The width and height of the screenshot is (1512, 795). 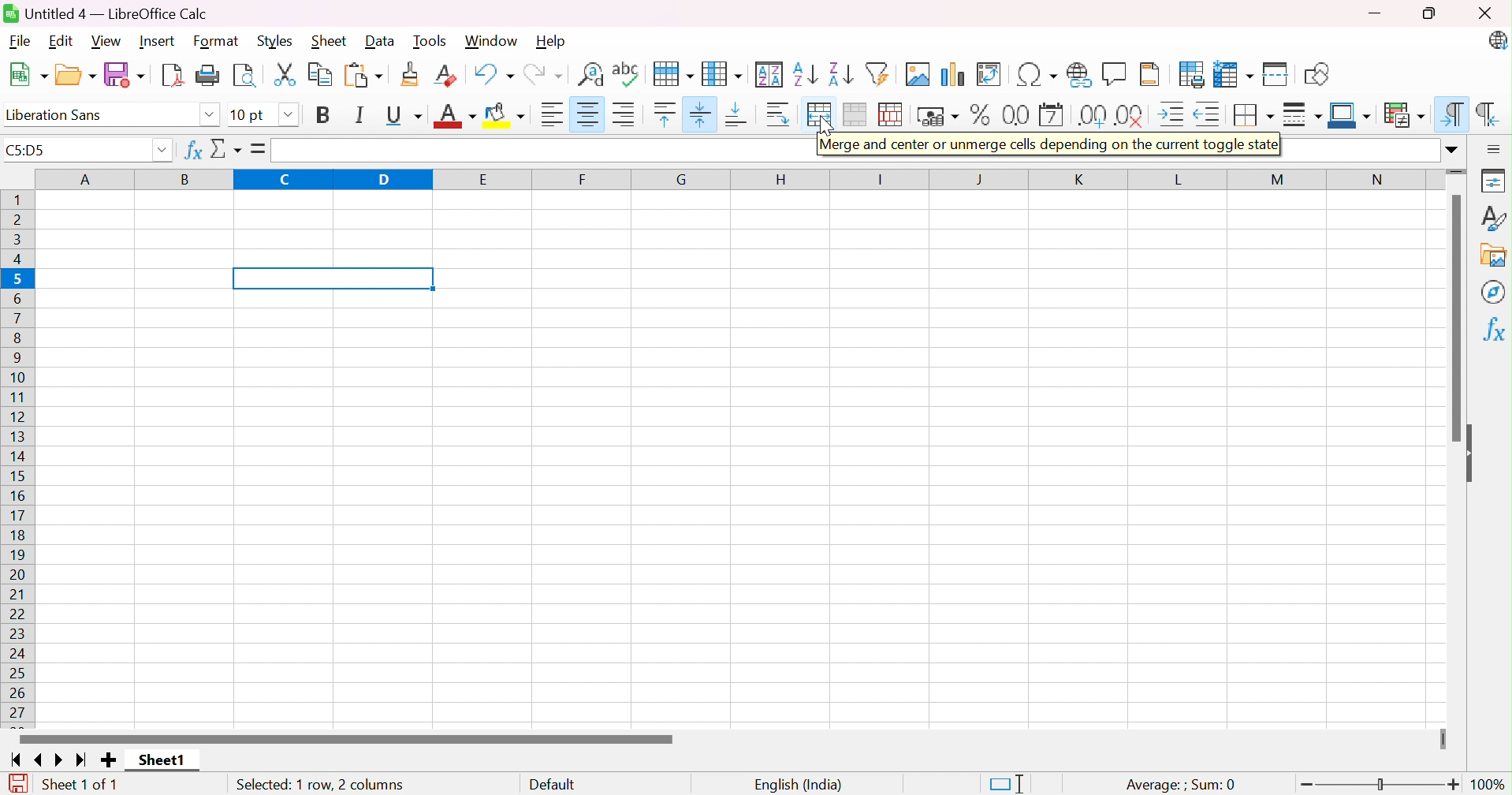 I want to click on Sidebar Settings, so click(x=1494, y=148).